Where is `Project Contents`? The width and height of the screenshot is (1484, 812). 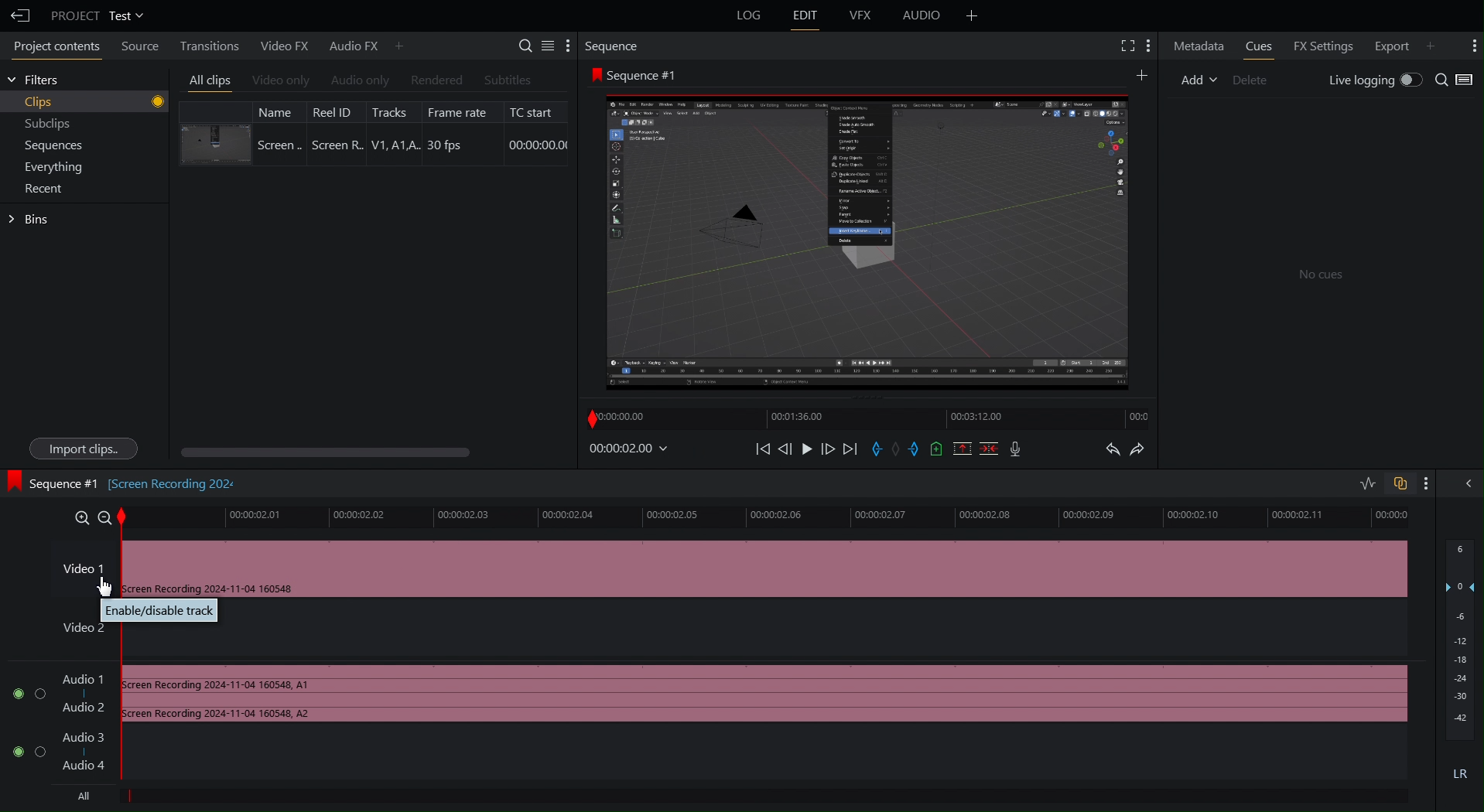 Project Contents is located at coordinates (56, 46).